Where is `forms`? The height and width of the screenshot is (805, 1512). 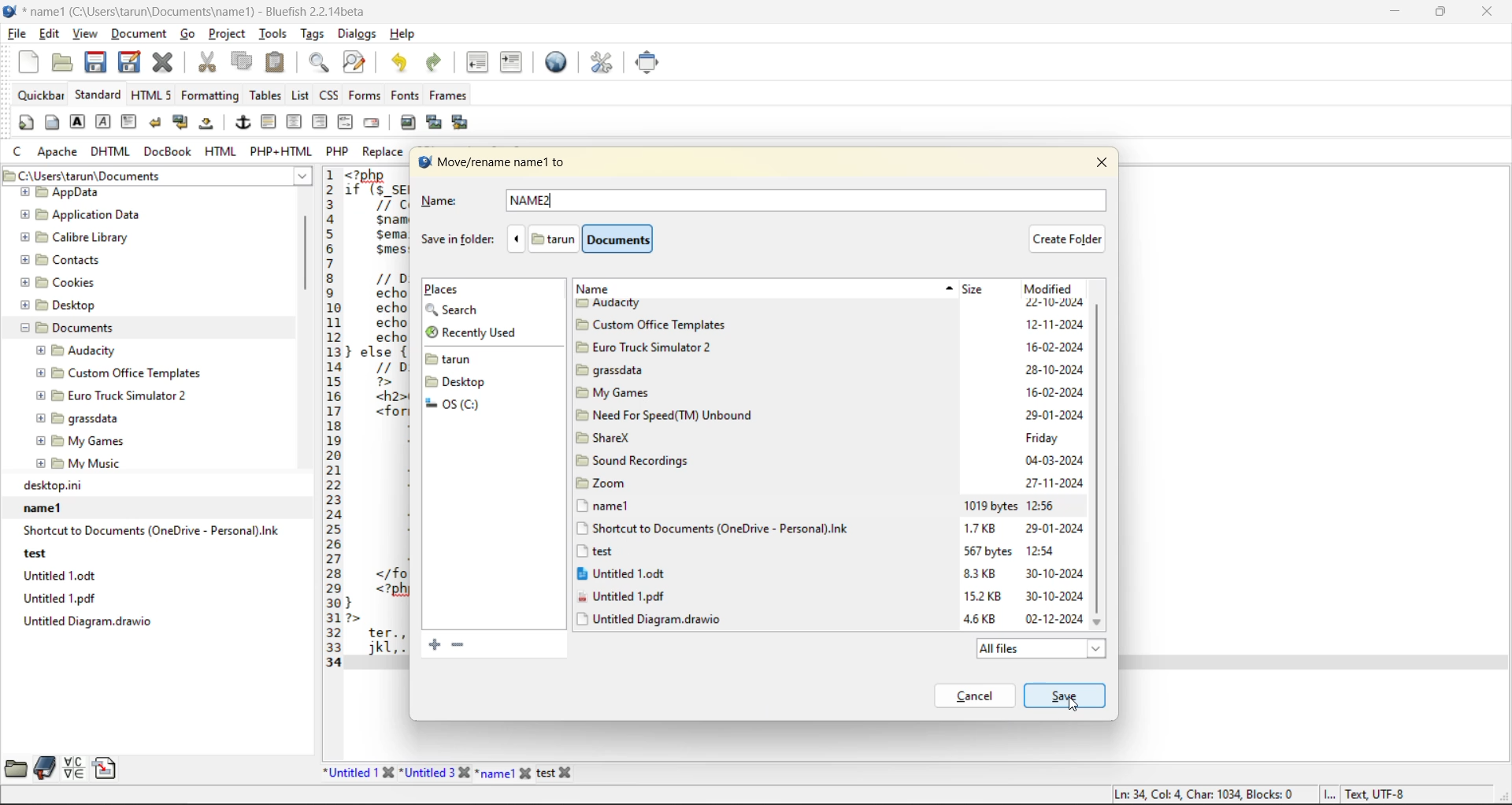
forms is located at coordinates (364, 95).